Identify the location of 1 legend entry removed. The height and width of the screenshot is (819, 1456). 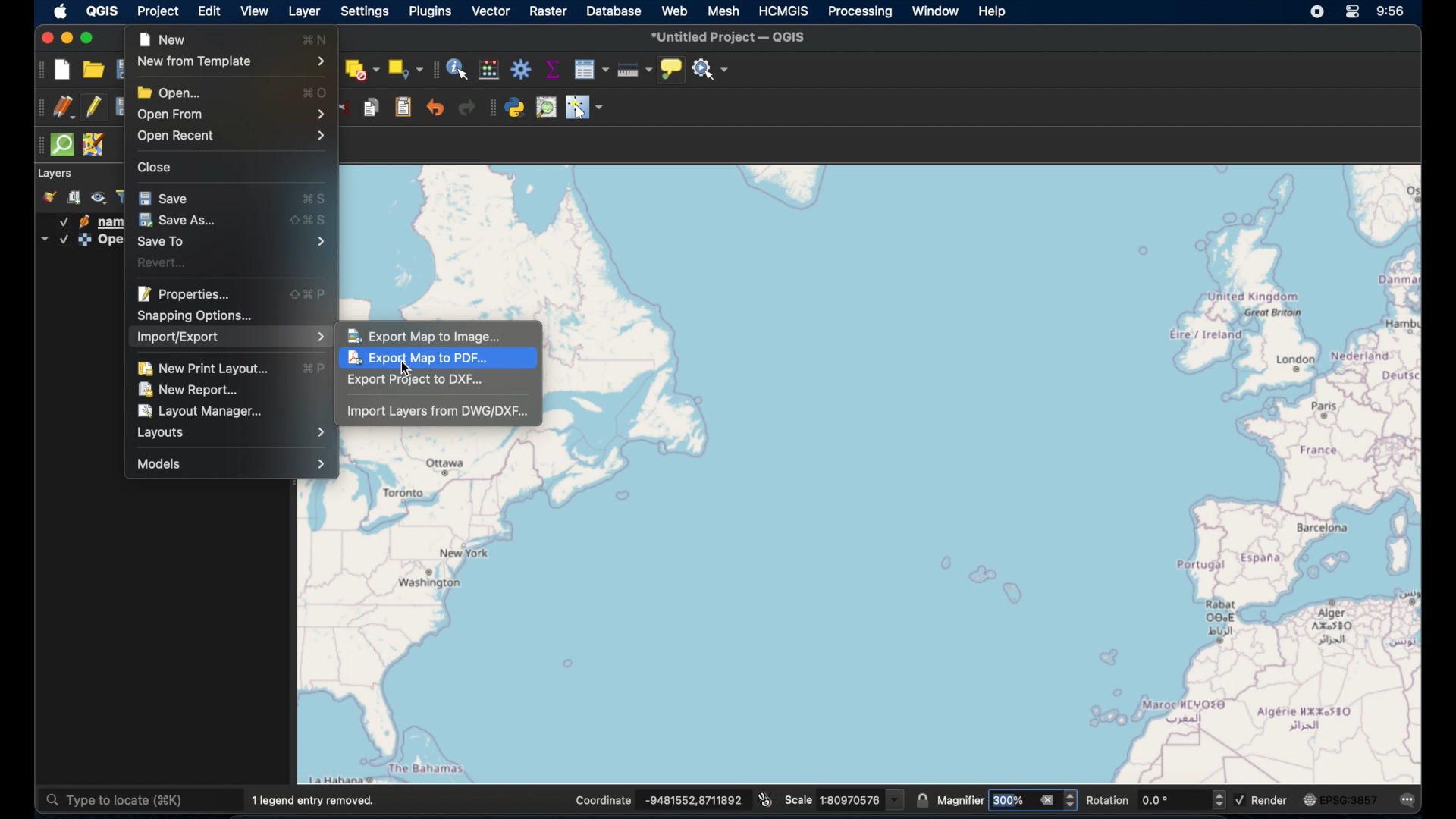
(317, 800).